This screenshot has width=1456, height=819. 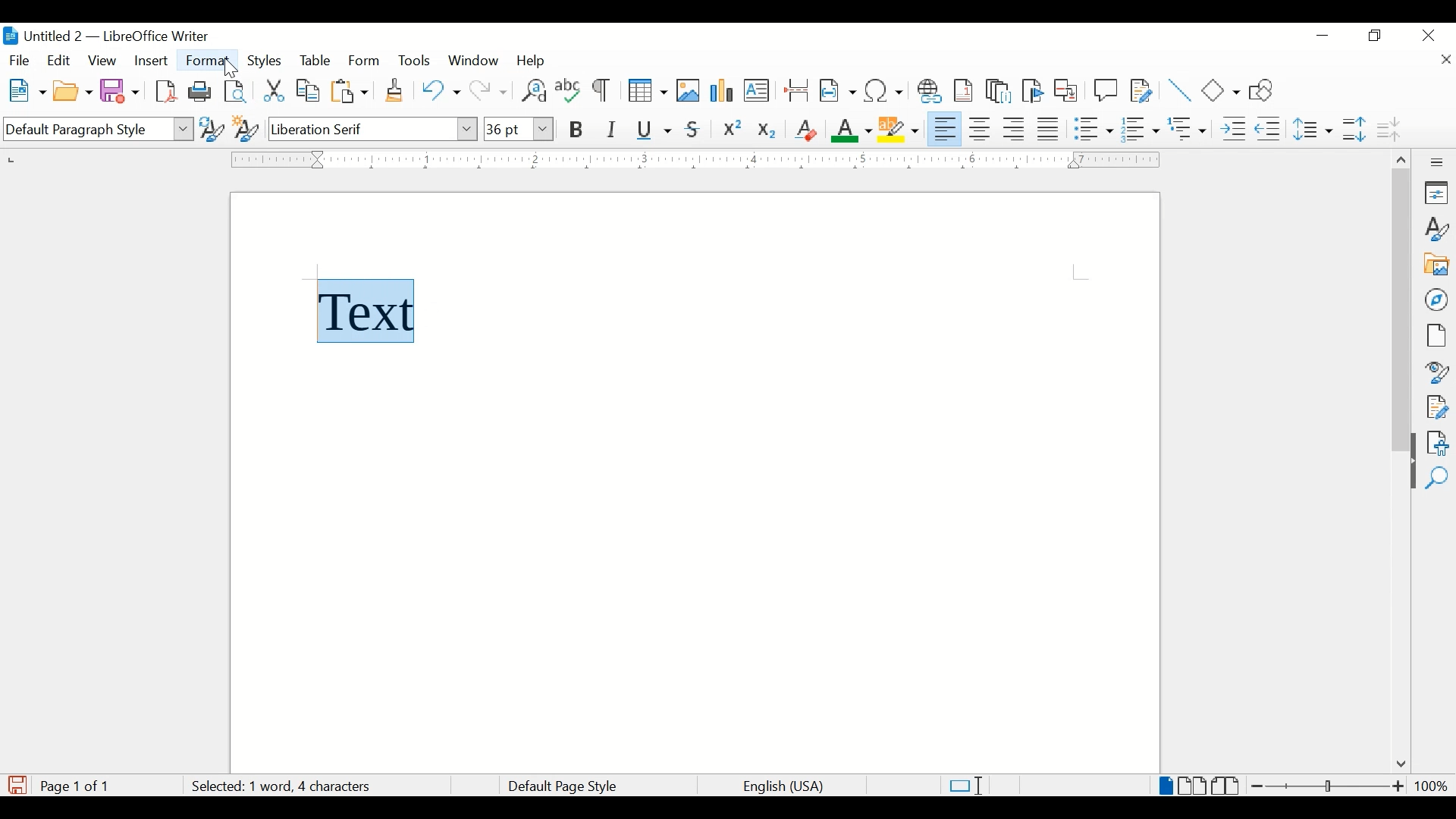 I want to click on basic shapes, so click(x=1222, y=90).